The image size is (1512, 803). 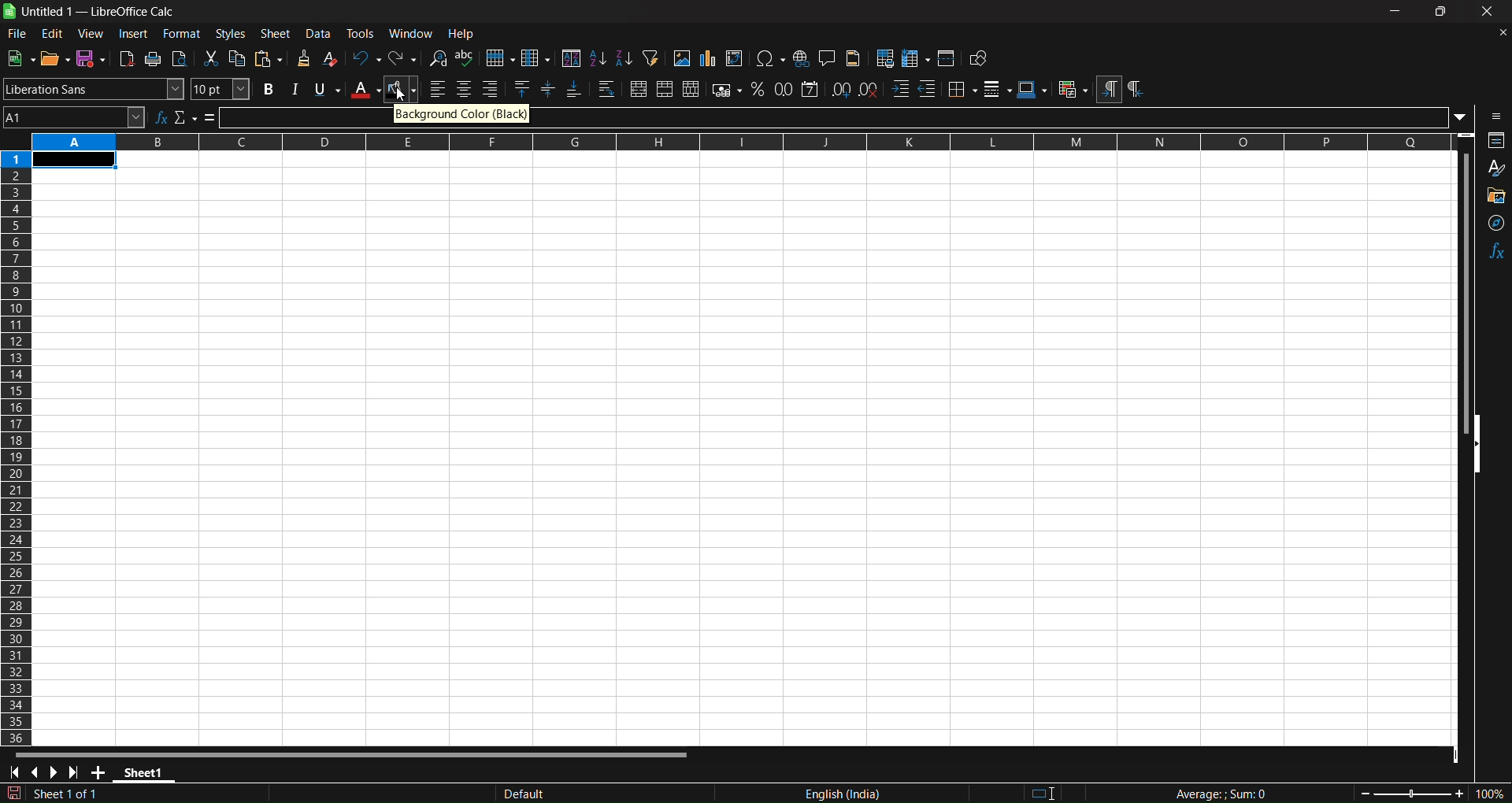 What do you see at coordinates (691, 90) in the screenshot?
I see `unmerge cells` at bounding box center [691, 90].